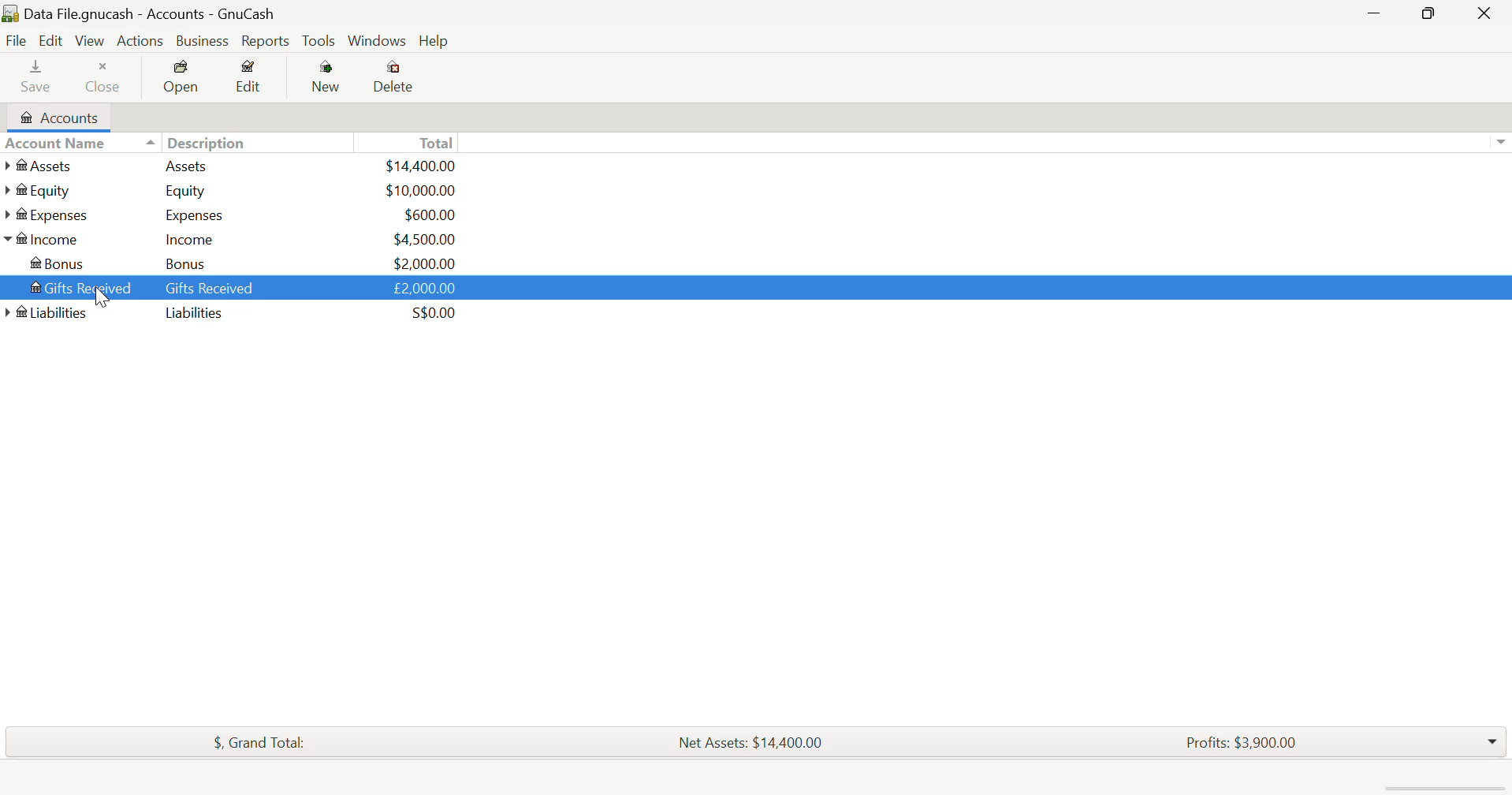 The image size is (1512, 795). What do you see at coordinates (434, 39) in the screenshot?
I see `Help` at bounding box center [434, 39].